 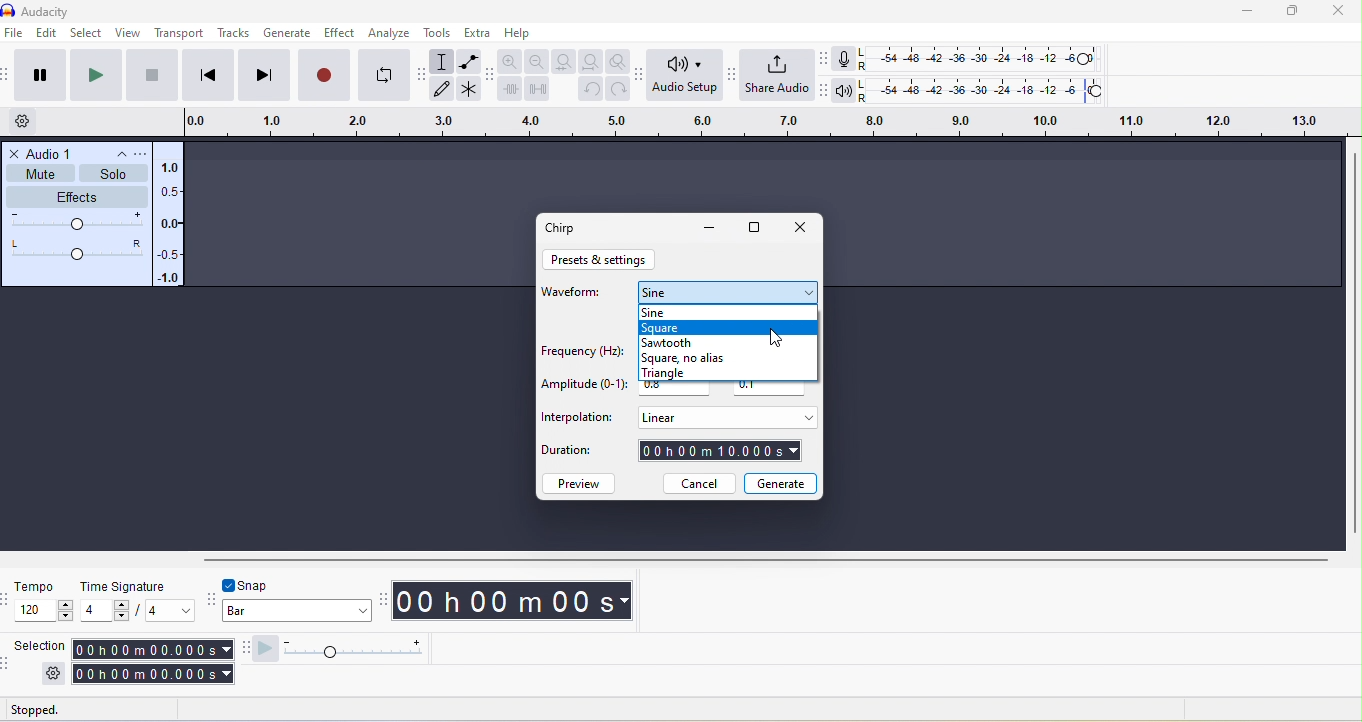 I want to click on undo, so click(x=589, y=90).